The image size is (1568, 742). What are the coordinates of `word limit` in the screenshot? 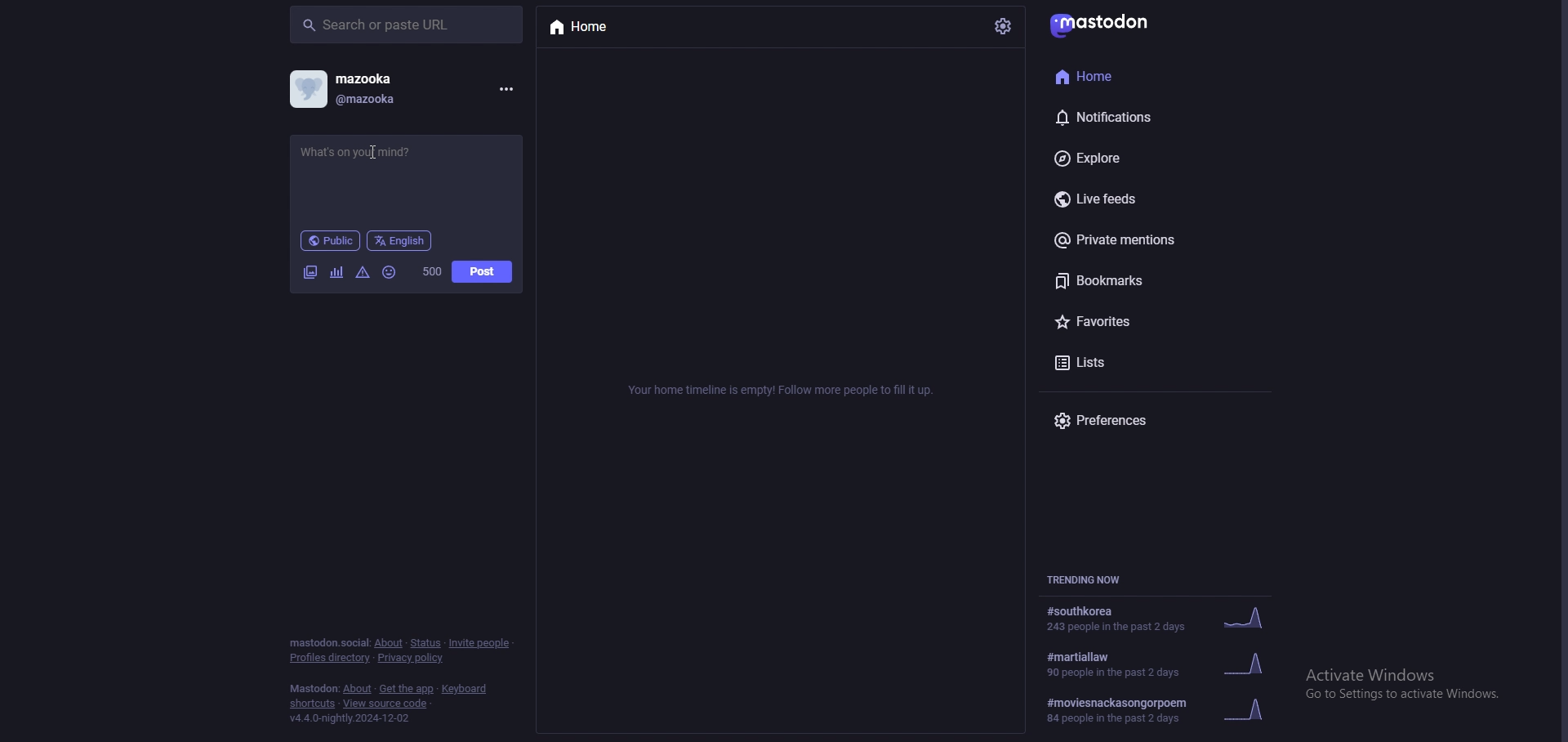 It's located at (434, 272).